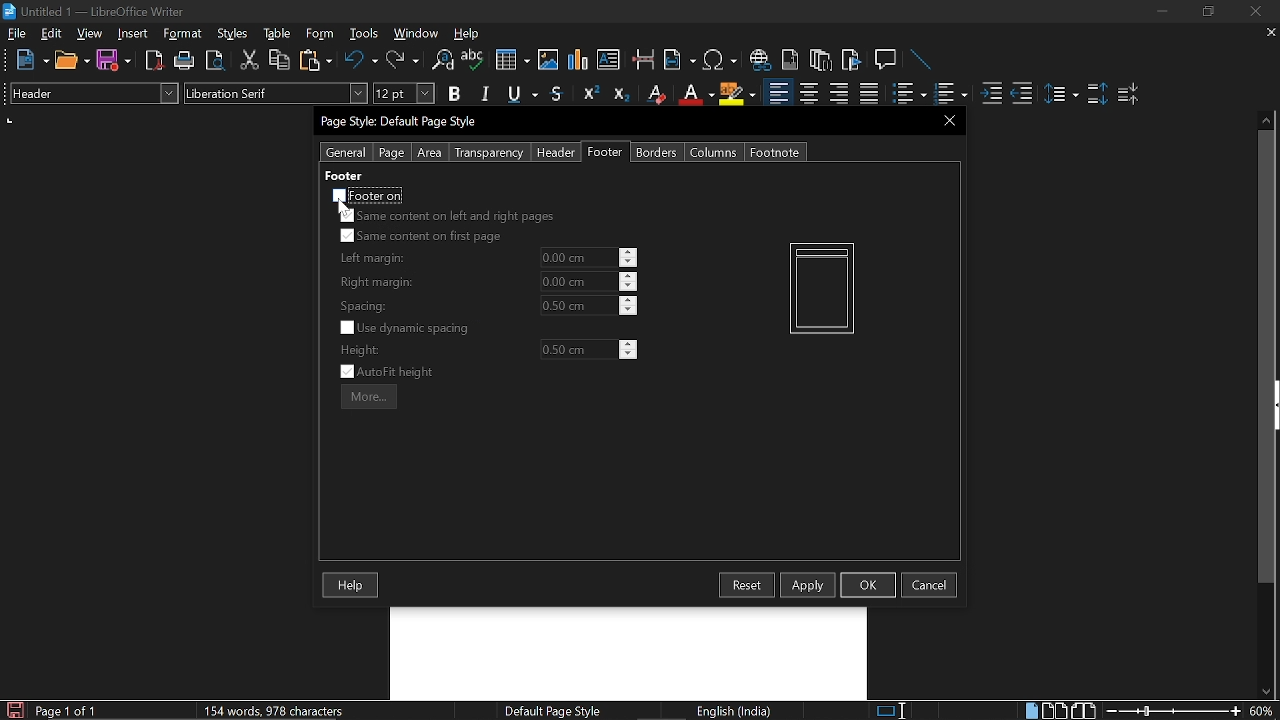 The height and width of the screenshot is (720, 1280). Describe the element at coordinates (13, 710) in the screenshot. I see `Save` at that location.